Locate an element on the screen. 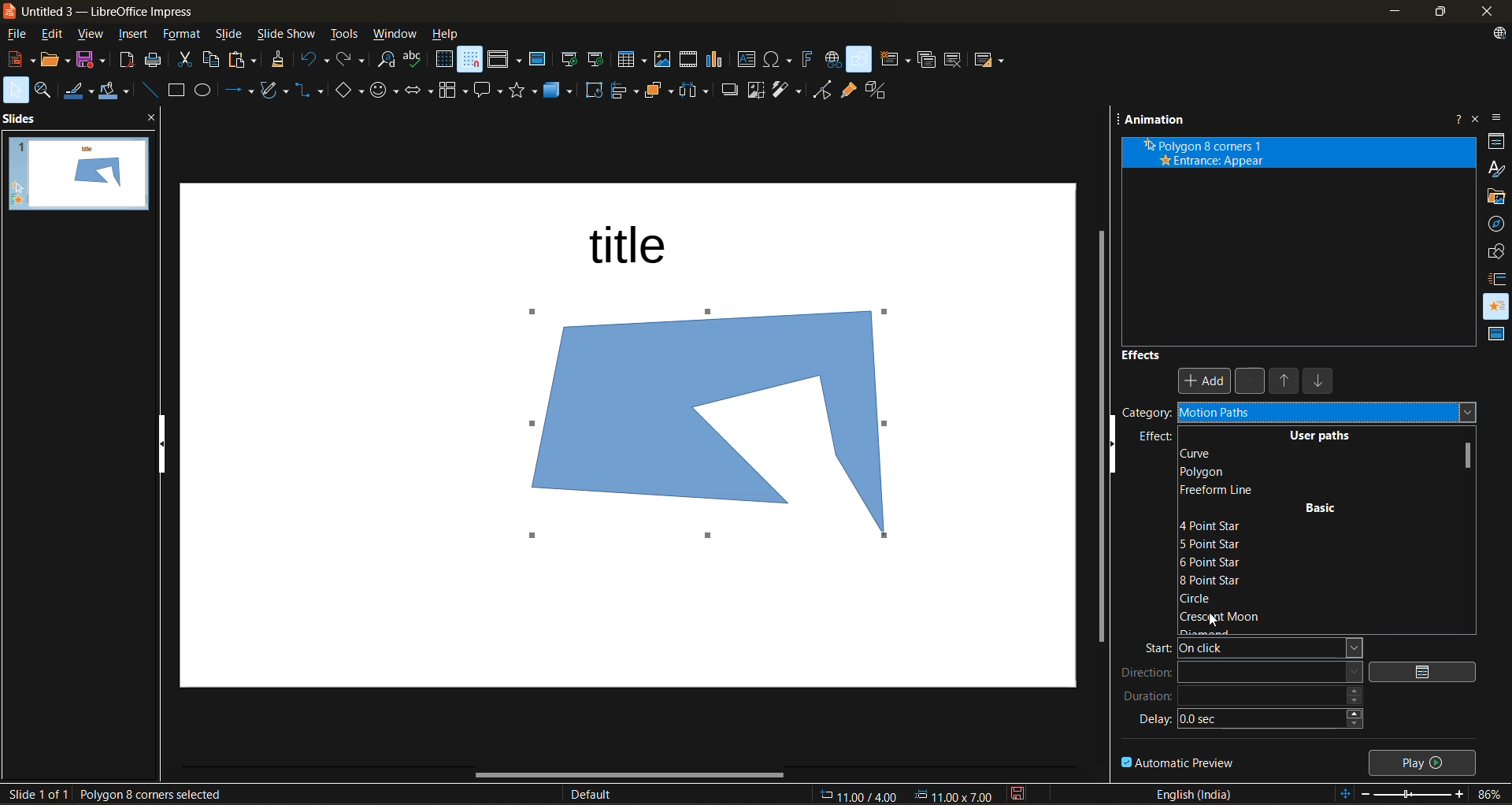 The height and width of the screenshot is (805, 1512). table is located at coordinates (632, 61).